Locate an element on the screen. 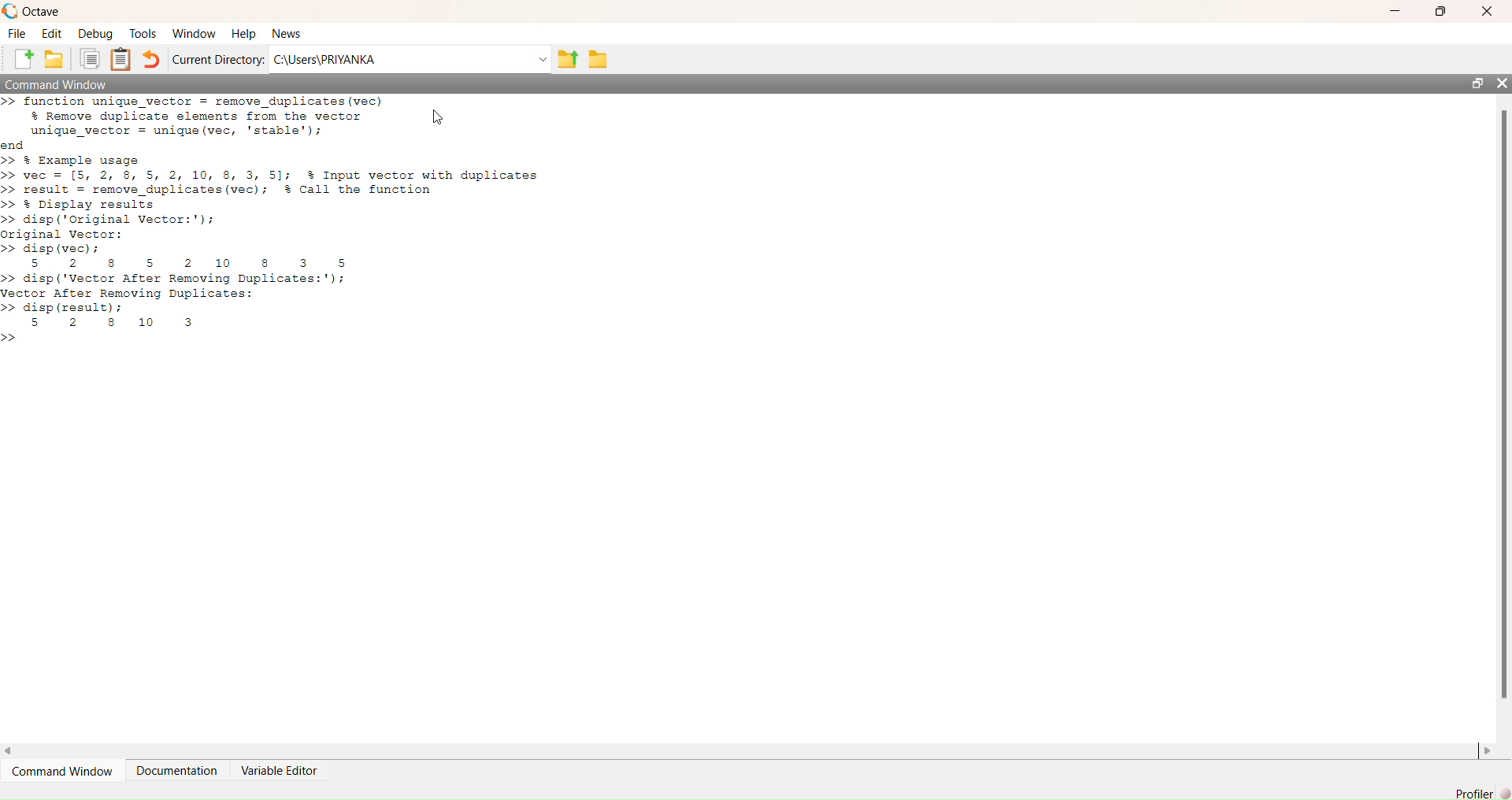  maximise is located at coordinates (1440, 12).